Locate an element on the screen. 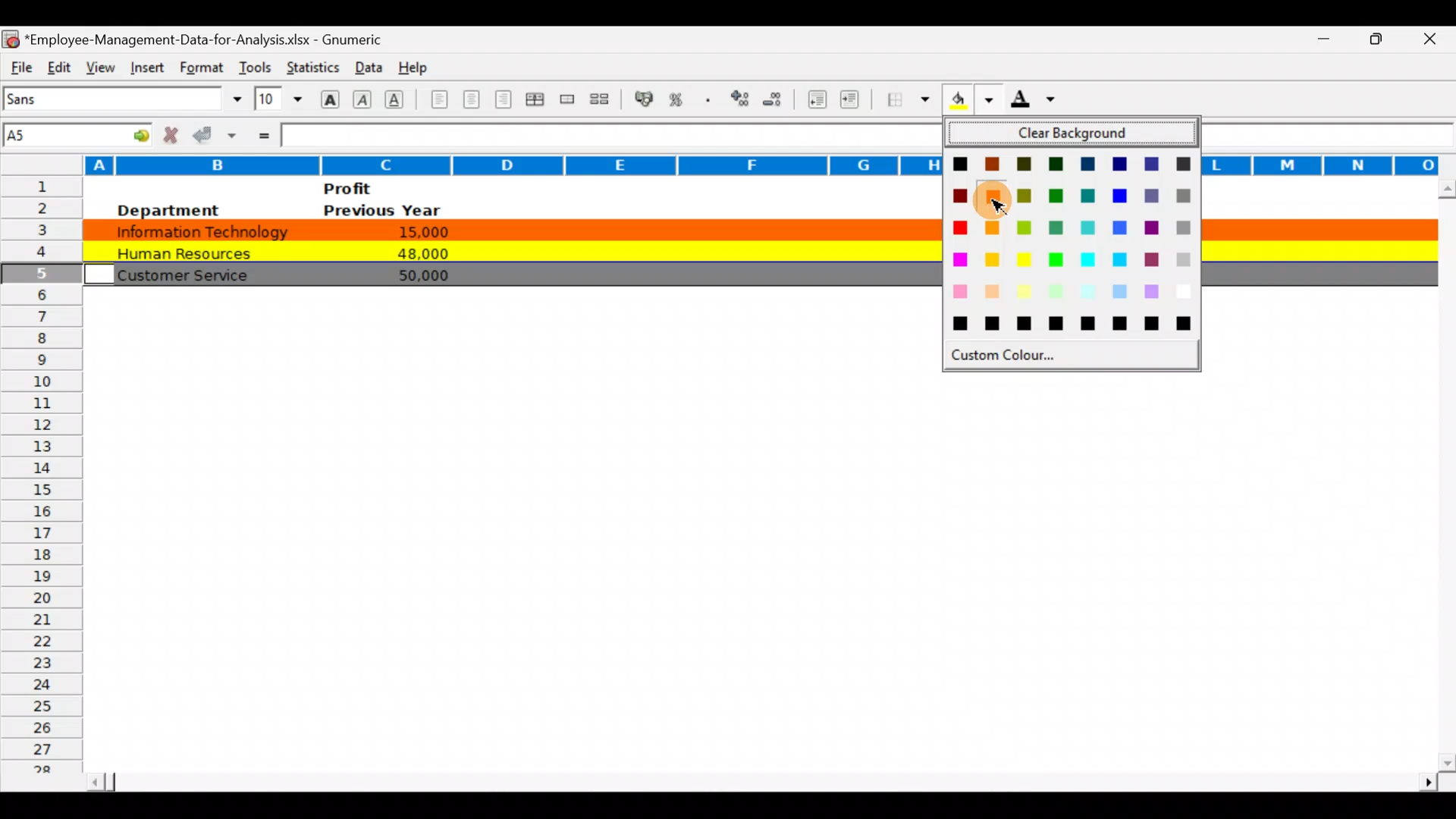 This screenshot has width=1456, height=819. Enter formula is located at coordinates (262, 134).